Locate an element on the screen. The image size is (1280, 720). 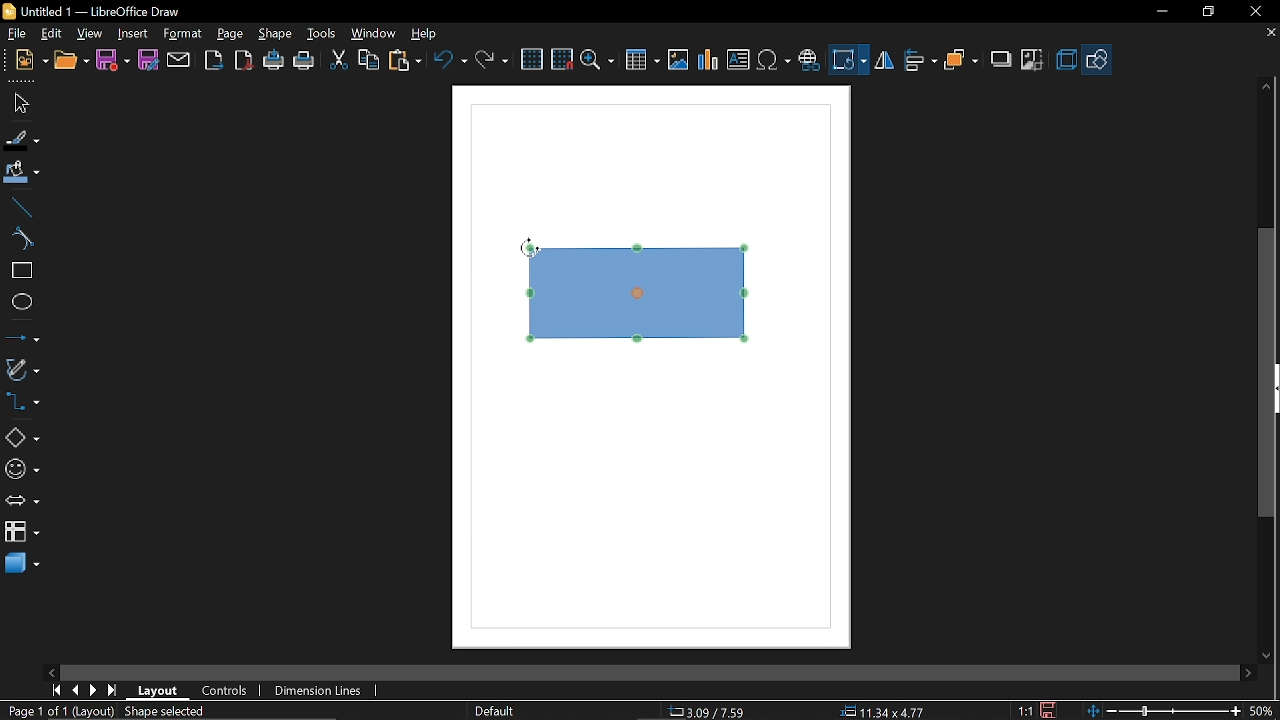
Move right is located at coordinates (1247, 673).